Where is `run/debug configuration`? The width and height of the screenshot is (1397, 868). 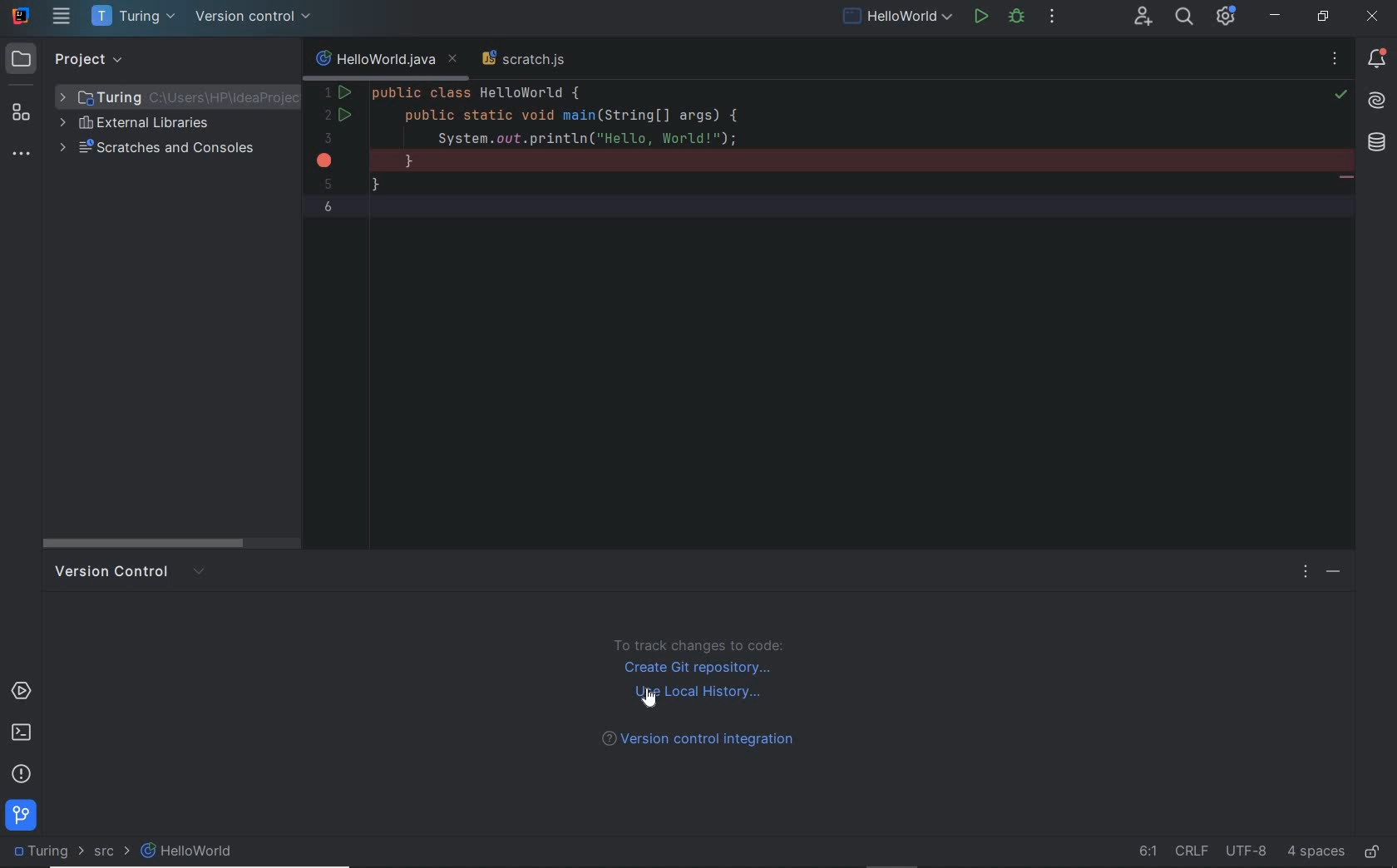 run/debug configuration is located at coordinates (896, 17).